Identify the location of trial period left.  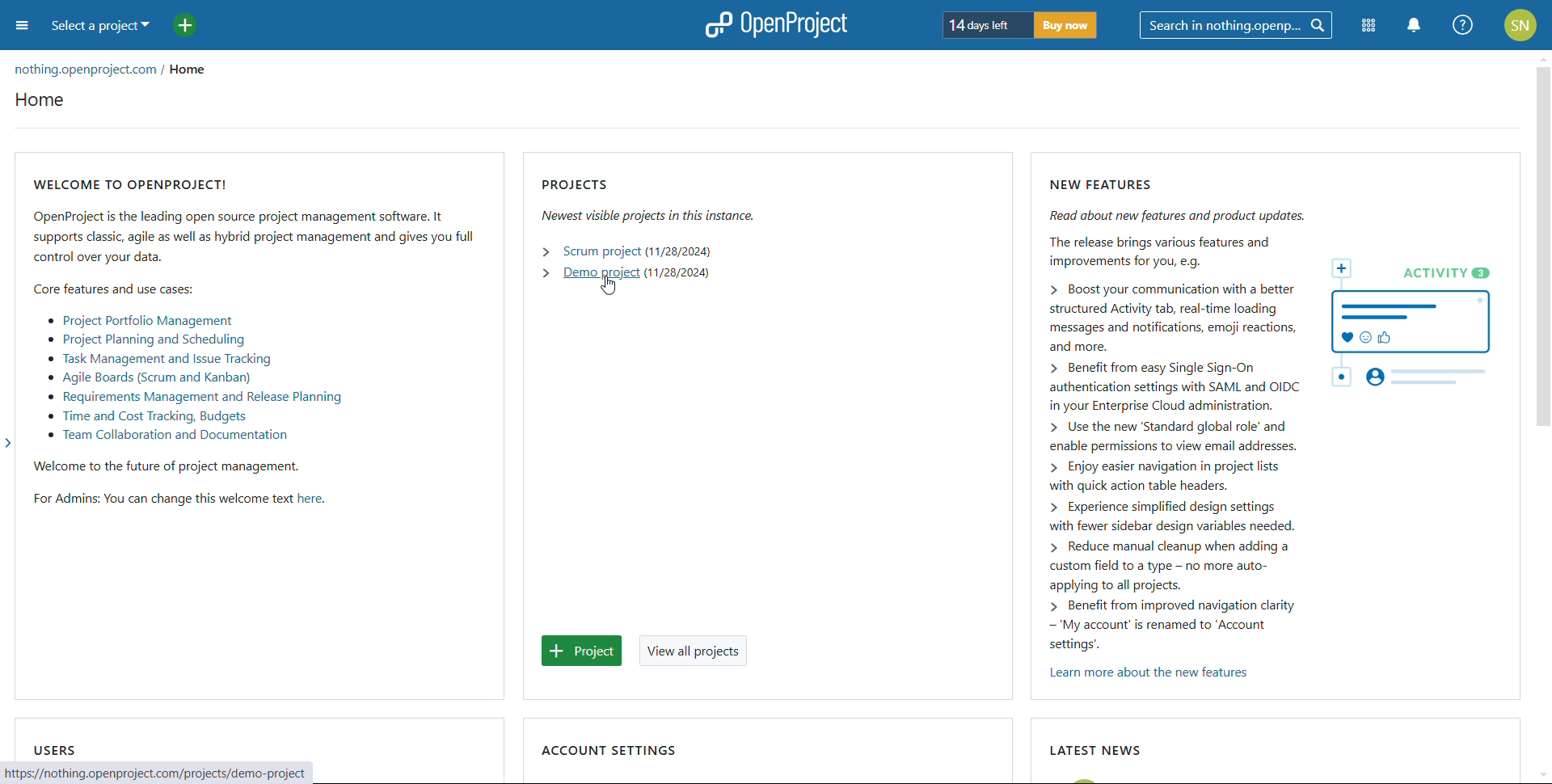
(986, 24).